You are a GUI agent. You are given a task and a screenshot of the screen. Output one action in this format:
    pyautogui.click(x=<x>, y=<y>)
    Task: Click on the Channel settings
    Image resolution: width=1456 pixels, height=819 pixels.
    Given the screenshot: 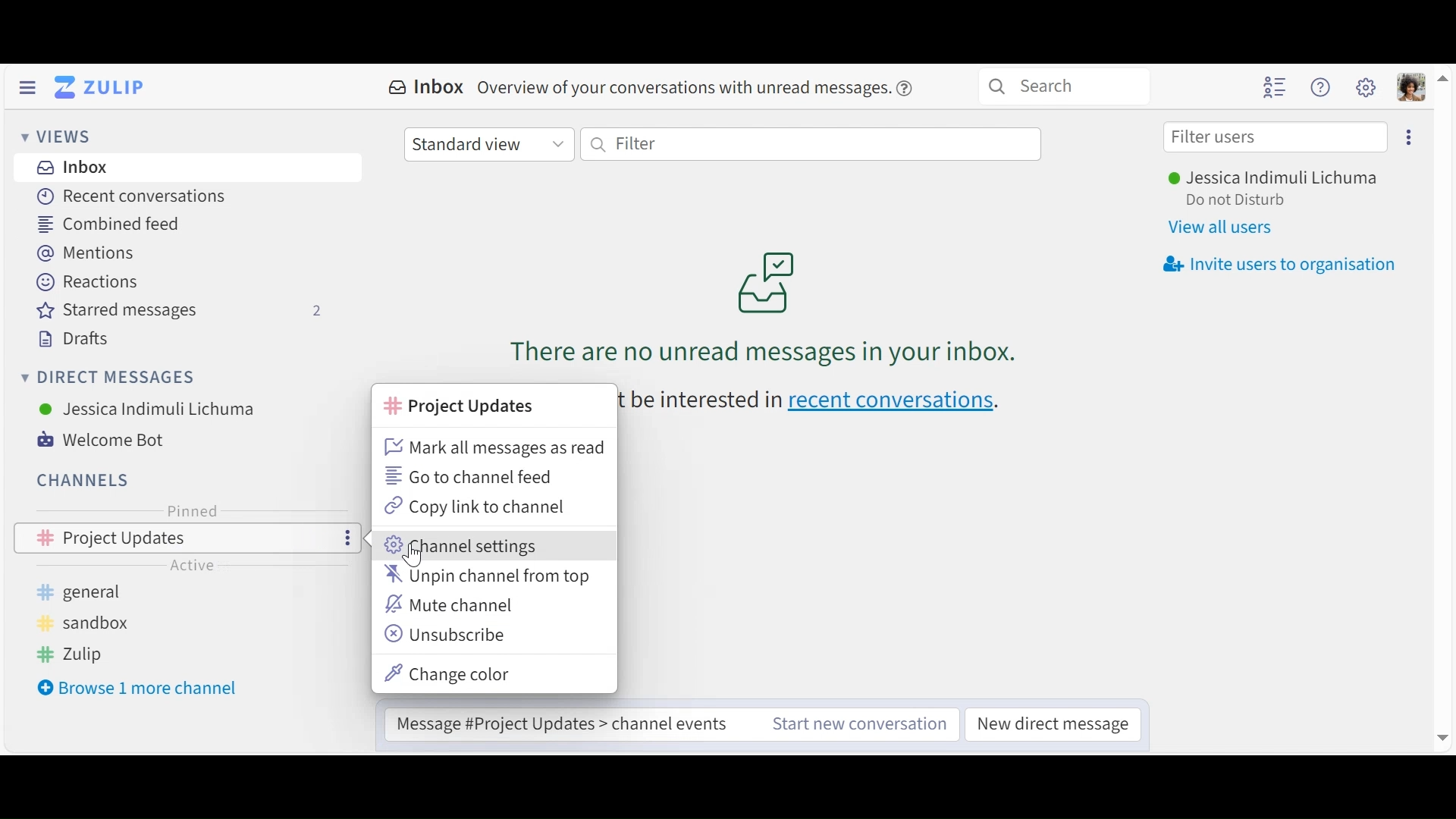 What is the action you would take?
    pyautogui.click(x=466, y=546)
    